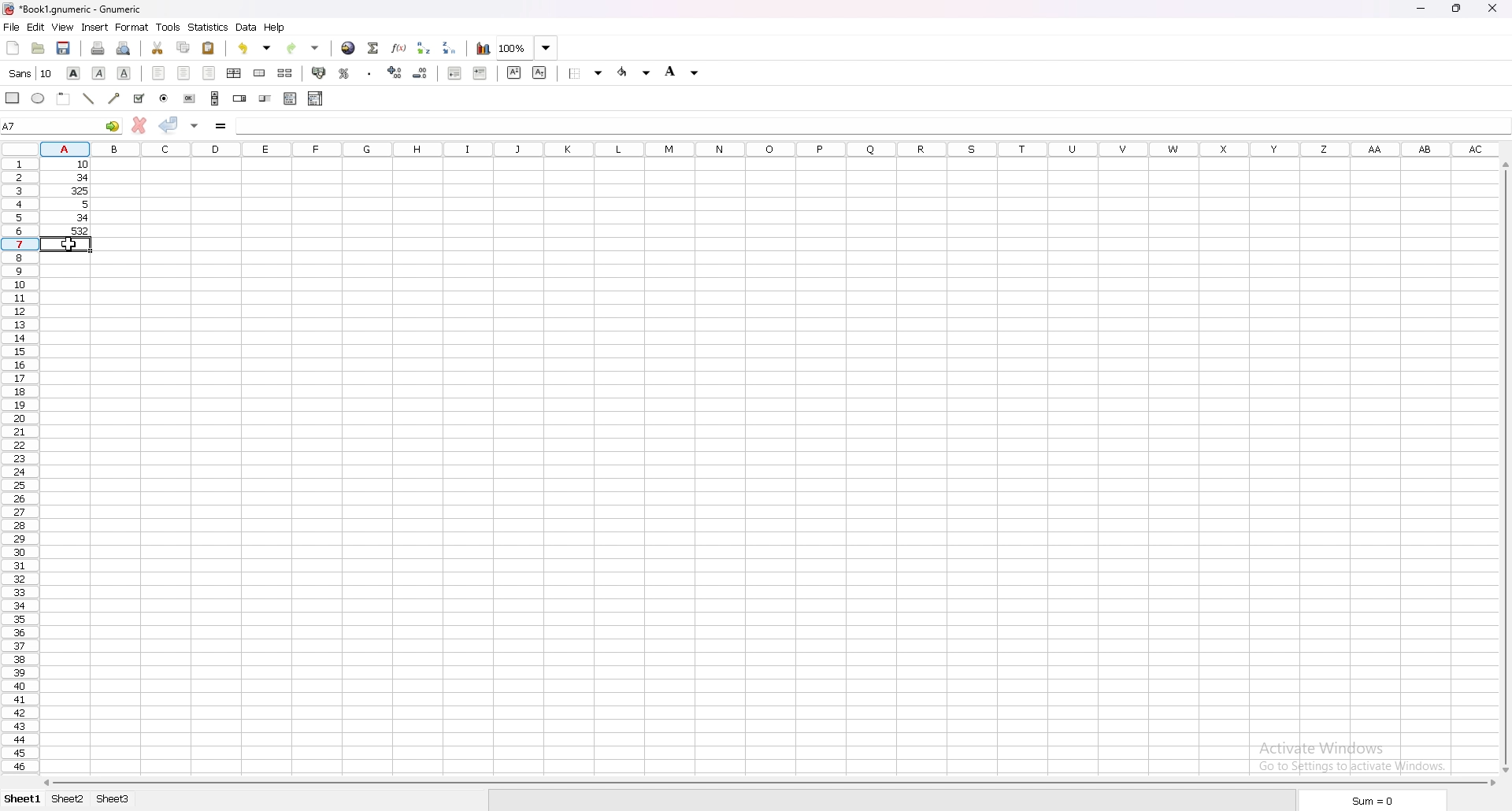  I want to click on right align, so click(209, 72).